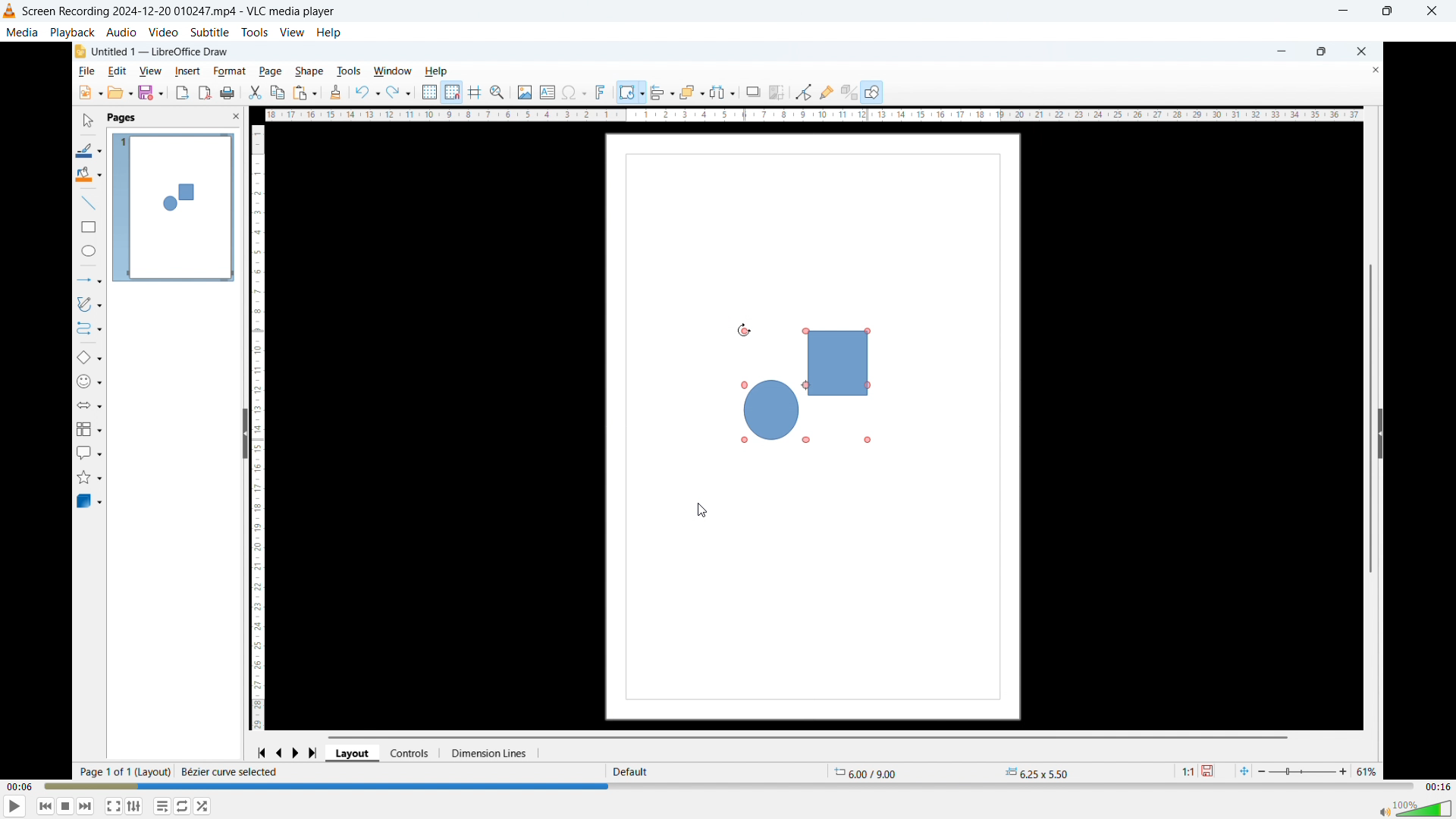  What do you see at coordinates (202, 806) in the screenshot?
I see `random ` at bounding box center [202, 806].